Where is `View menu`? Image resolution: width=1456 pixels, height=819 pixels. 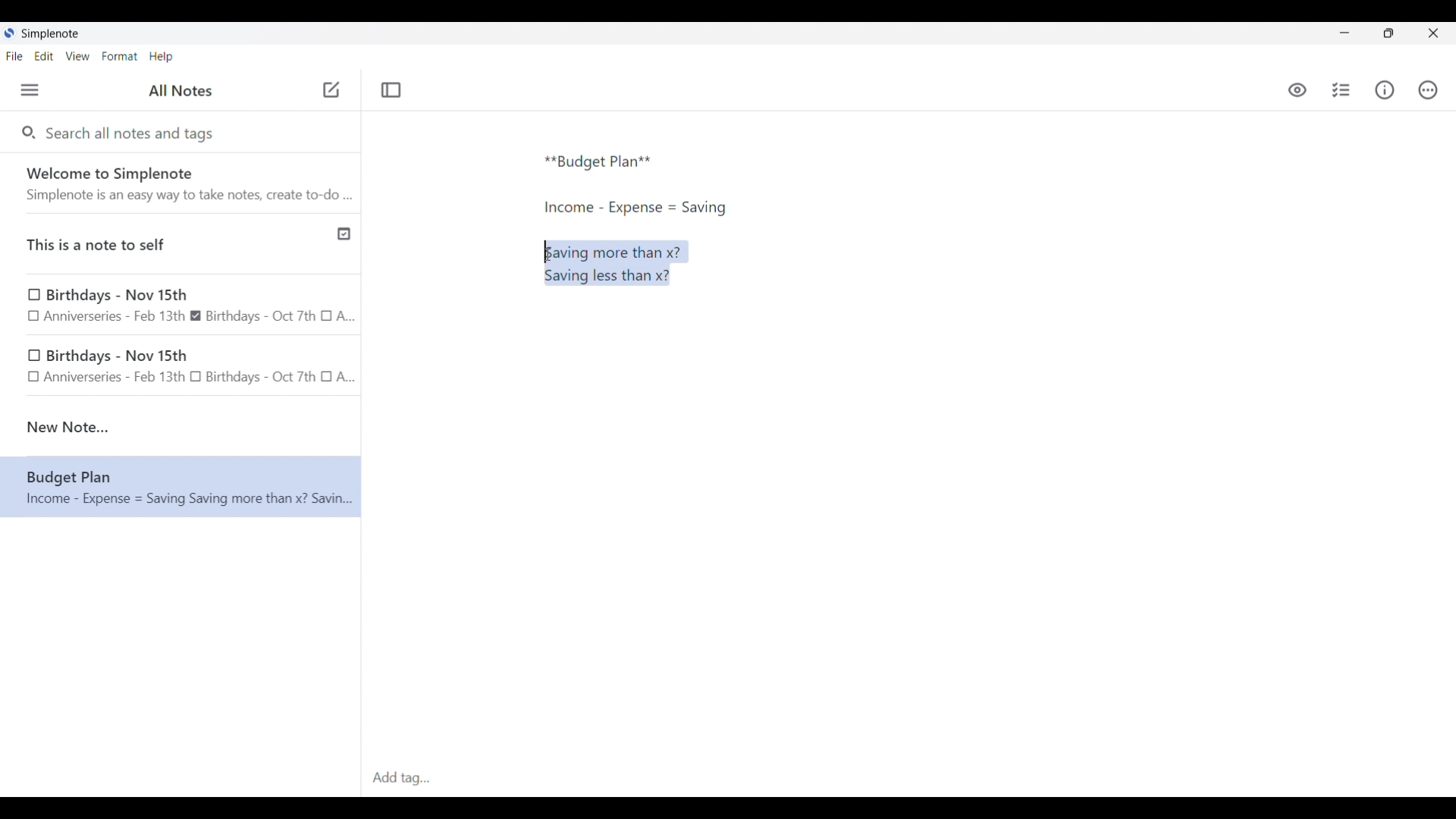
View menu is located at coordinates (78, 55).